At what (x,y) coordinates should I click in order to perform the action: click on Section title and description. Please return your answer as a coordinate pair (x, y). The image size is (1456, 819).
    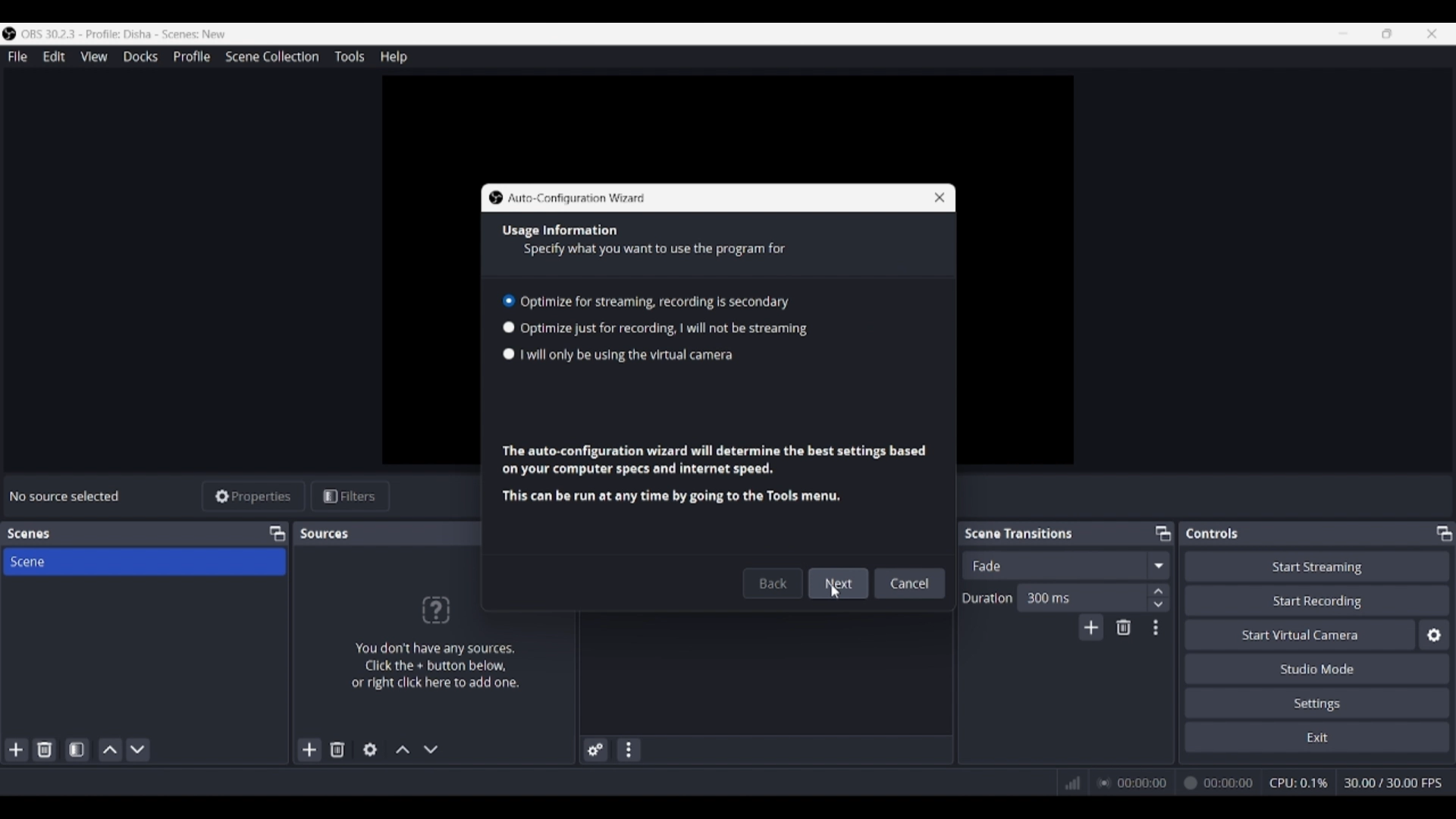
    Looking at the image, I should click on (642, 242).